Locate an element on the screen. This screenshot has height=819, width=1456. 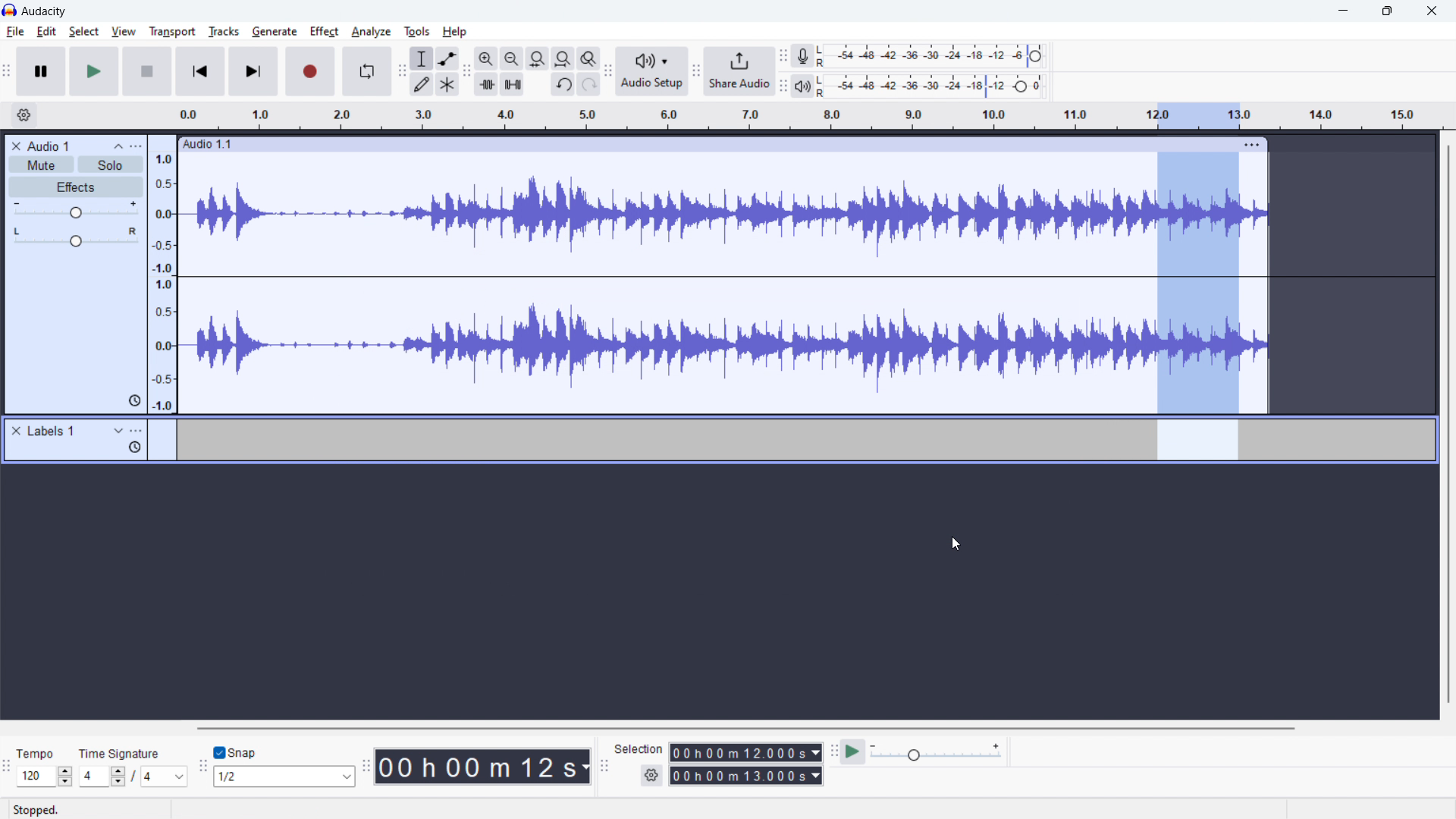
remove is located at coordinates (16, 431).